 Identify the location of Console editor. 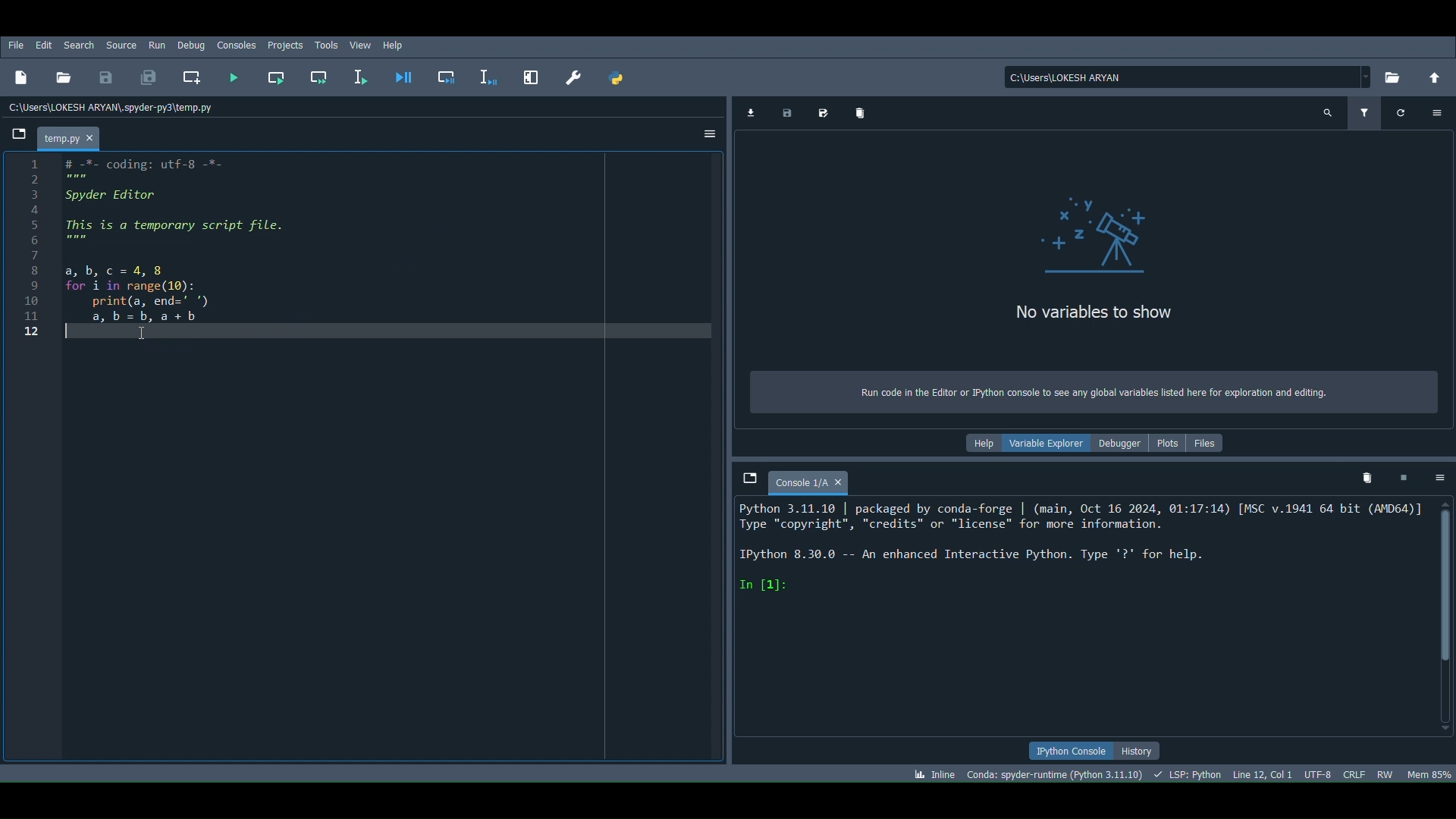
(1084, 618).